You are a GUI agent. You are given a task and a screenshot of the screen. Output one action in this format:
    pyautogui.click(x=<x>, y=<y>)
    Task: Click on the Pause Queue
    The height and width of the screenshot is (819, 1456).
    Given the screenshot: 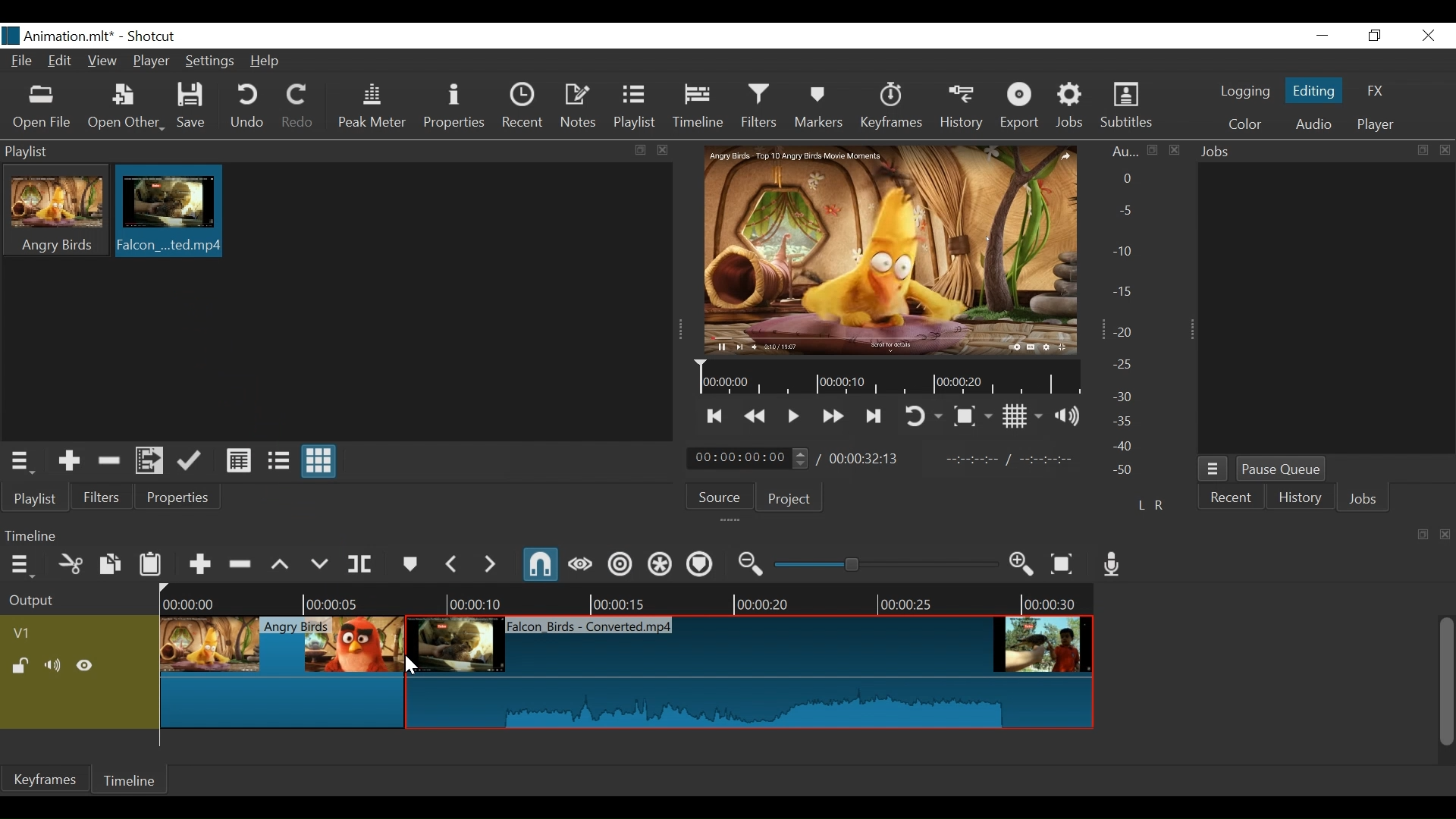 What is the action you would take?
    pyautogui.click(x=1281, y=470)
    